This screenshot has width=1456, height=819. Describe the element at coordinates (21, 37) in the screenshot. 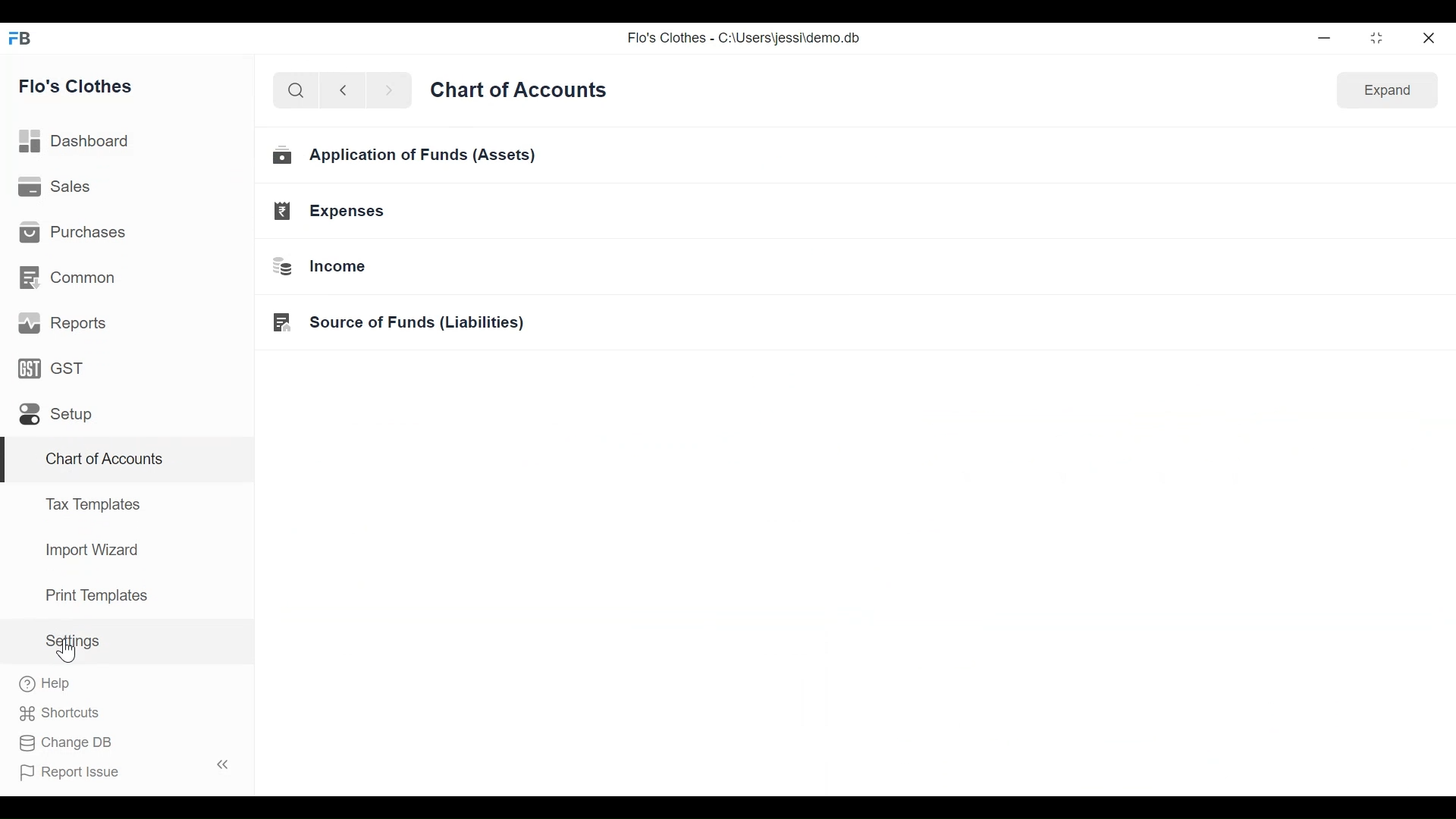

I see `FB` at that location.